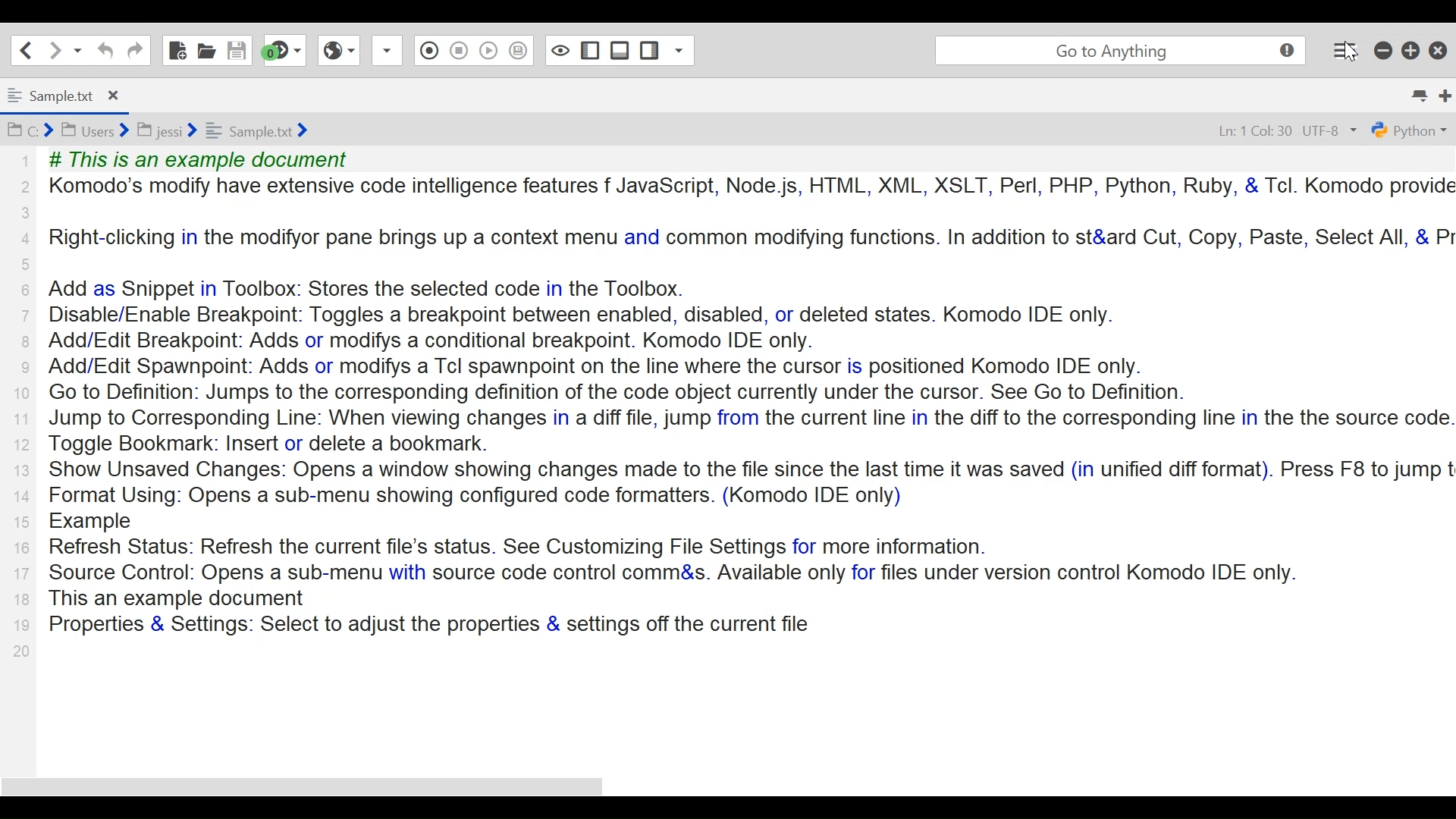 This screenshot has height=819, width=1456. Describe the element at coordinates (235, 49) in the screenshot. I see `Save` at that location.